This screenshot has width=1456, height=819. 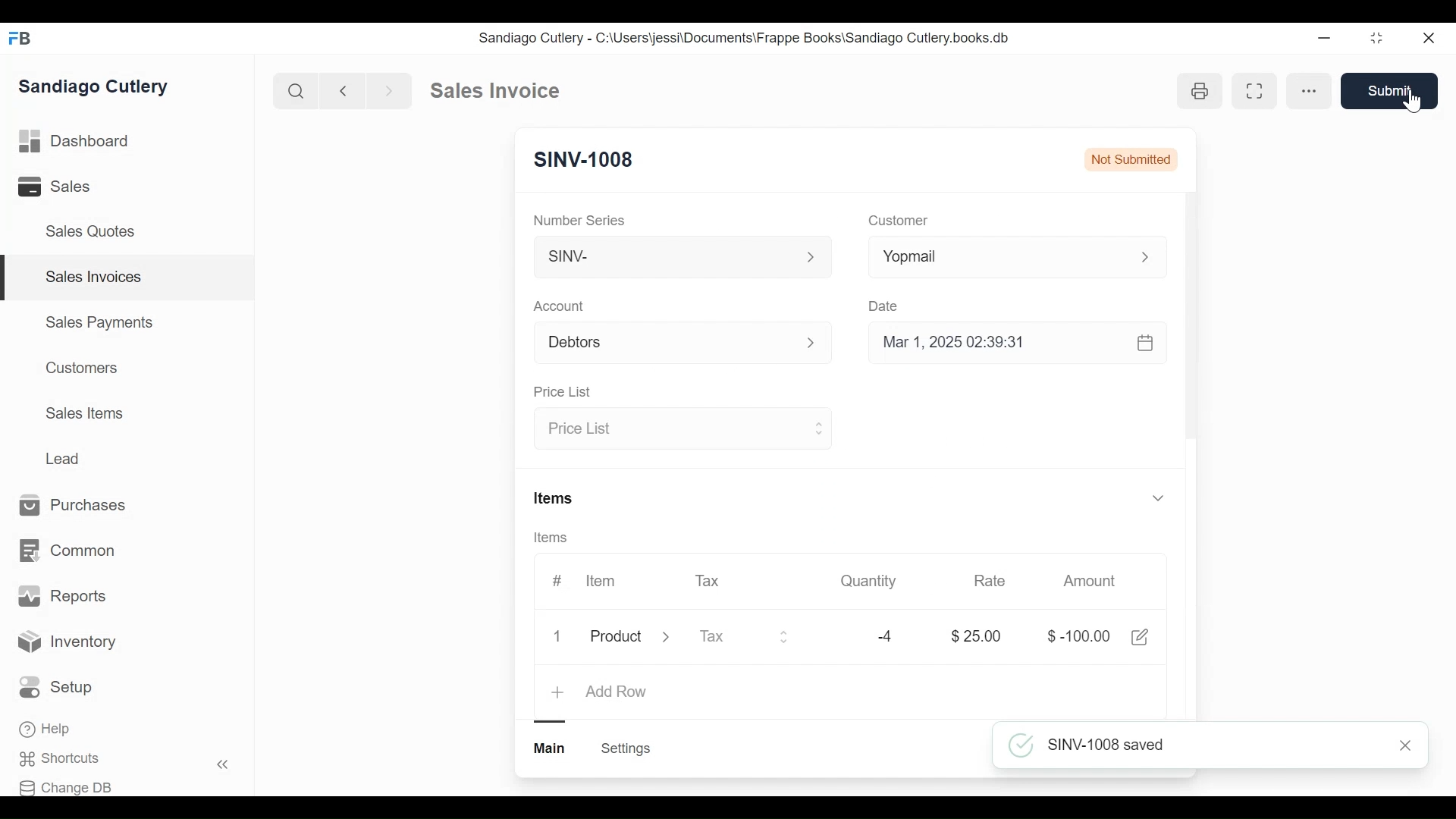 What do you see at coordinates (552, 538) in the screenshot?
I see `Items` at bounding box center [552, 538].